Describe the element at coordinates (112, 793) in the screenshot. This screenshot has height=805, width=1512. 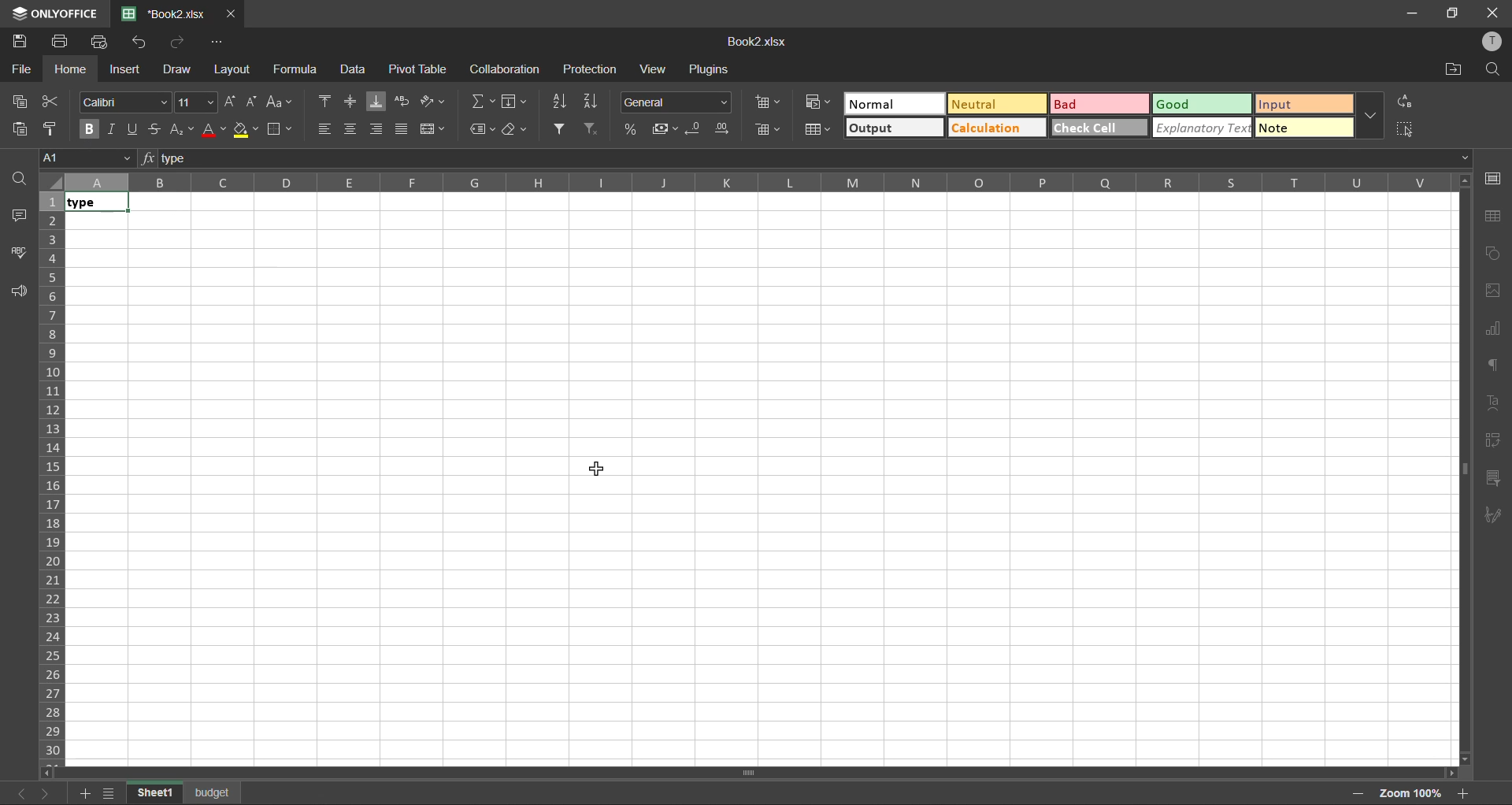
I see `list of sheets` at that location.